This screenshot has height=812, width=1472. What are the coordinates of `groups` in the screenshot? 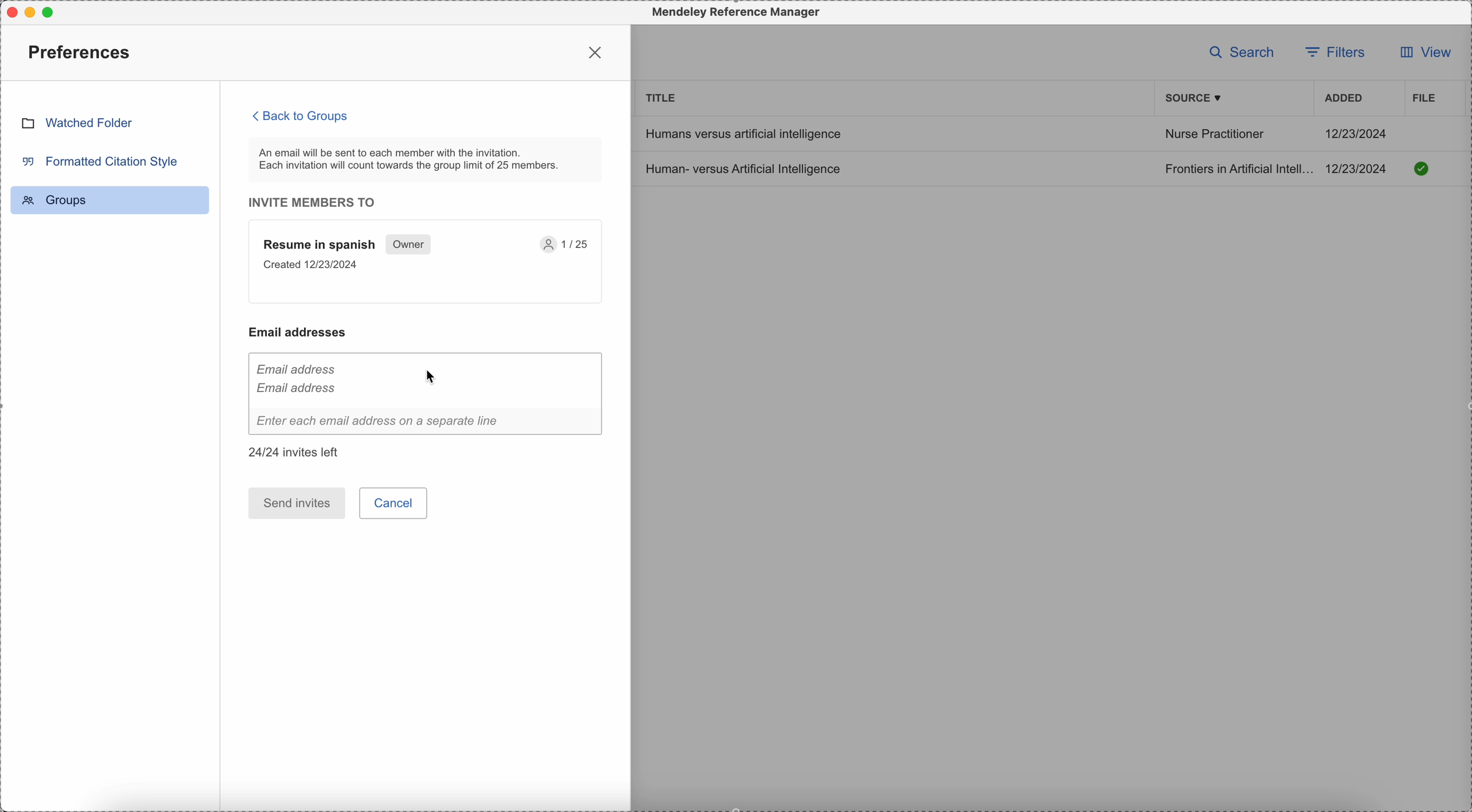 It's located at (110, 200).